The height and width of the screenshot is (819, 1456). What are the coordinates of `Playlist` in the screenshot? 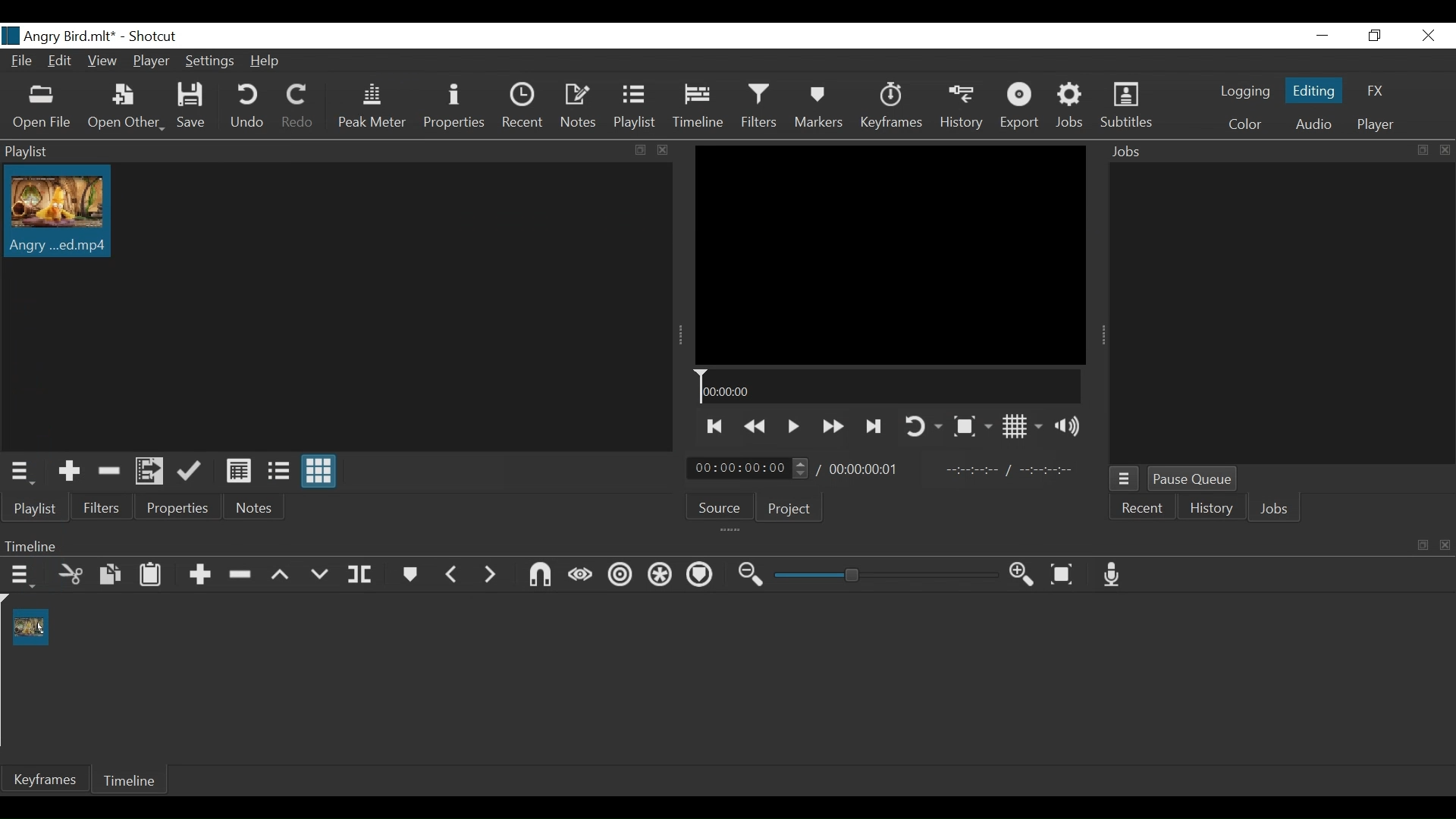 It's located at (639, 108).